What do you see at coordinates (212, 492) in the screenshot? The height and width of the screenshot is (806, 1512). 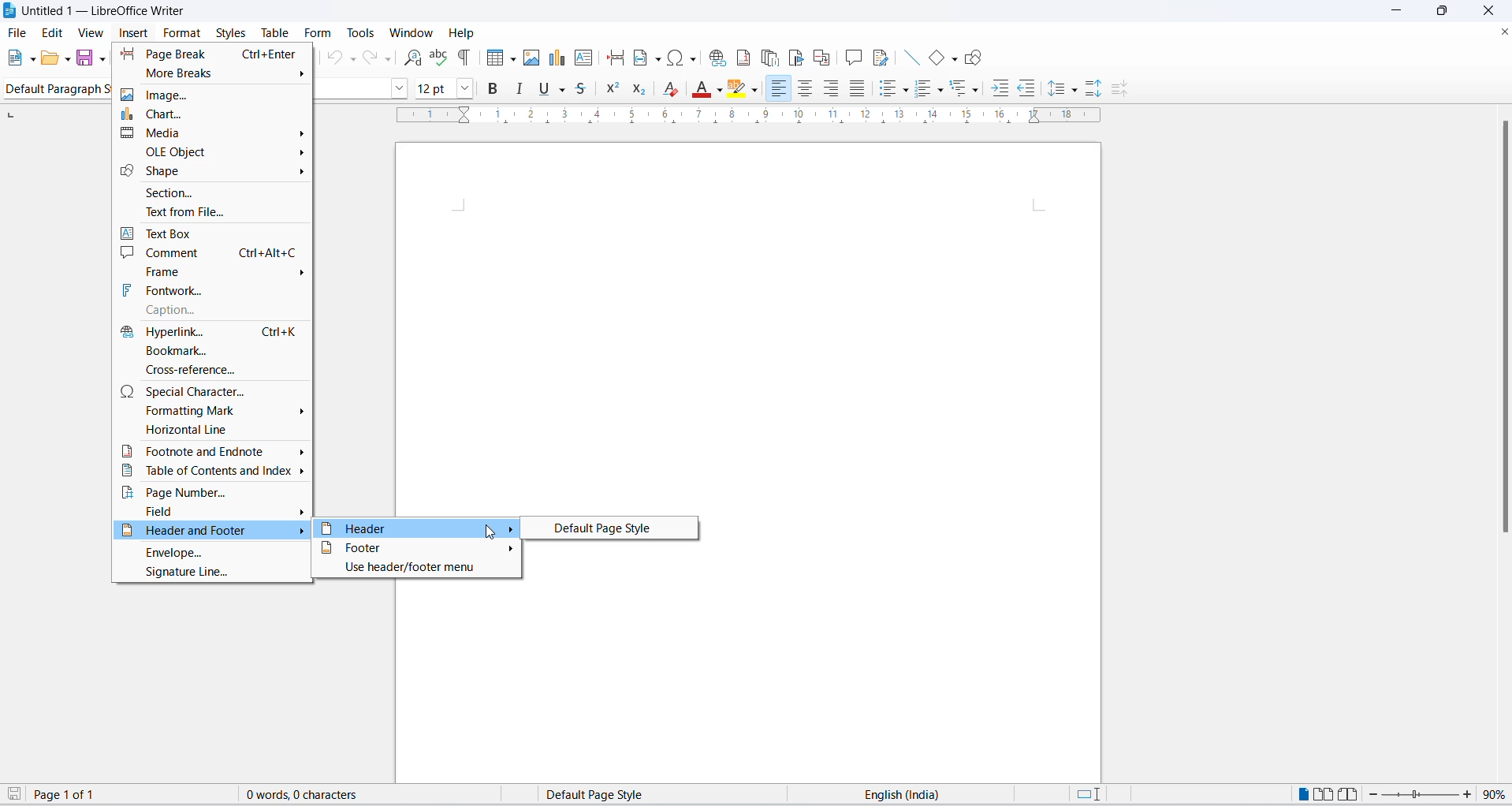 I see `page number` at bounding box center [212, 492].